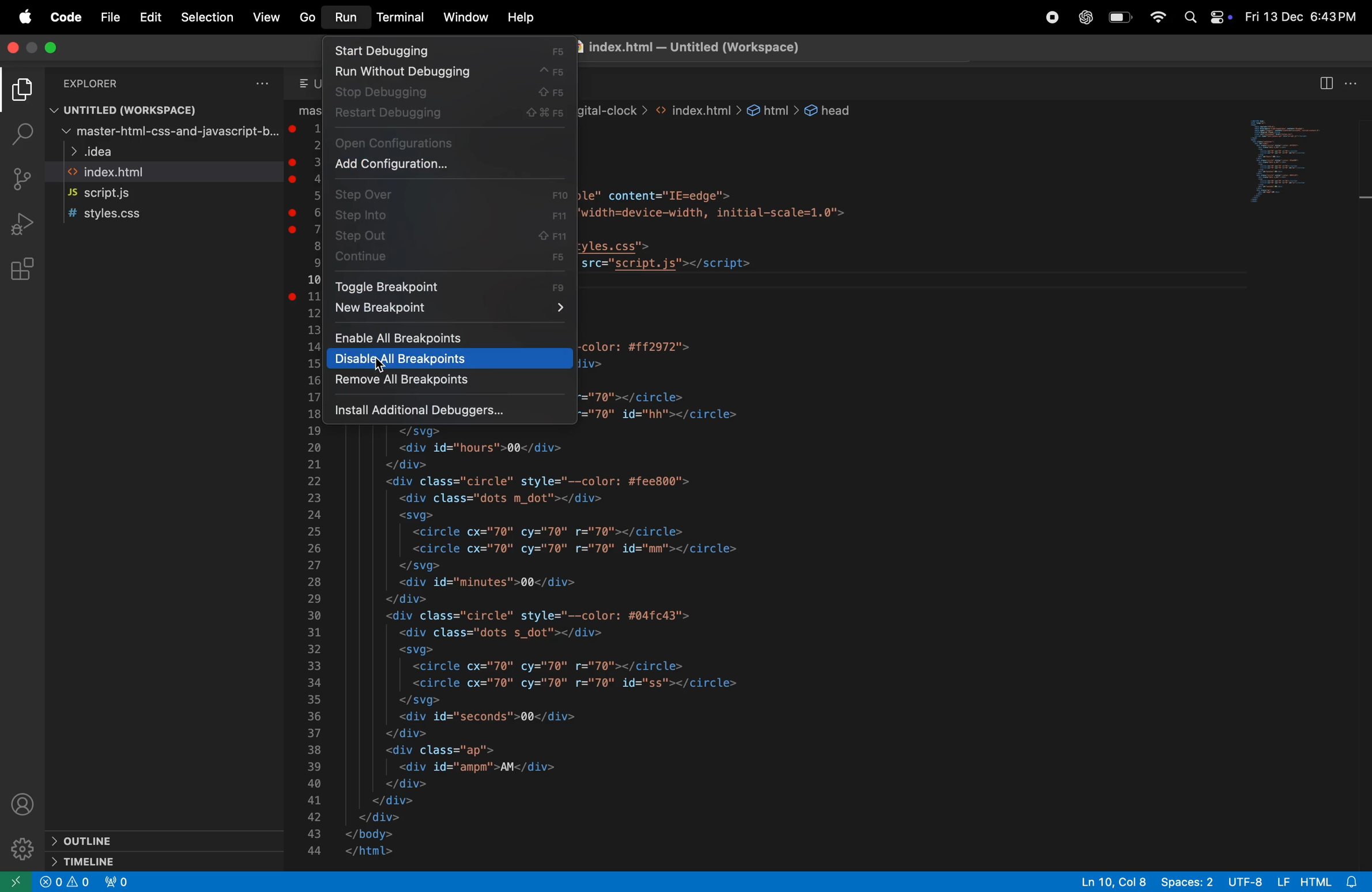 The image size is (1372, 892). I want to click on index.html file page title, so click(692, 46).